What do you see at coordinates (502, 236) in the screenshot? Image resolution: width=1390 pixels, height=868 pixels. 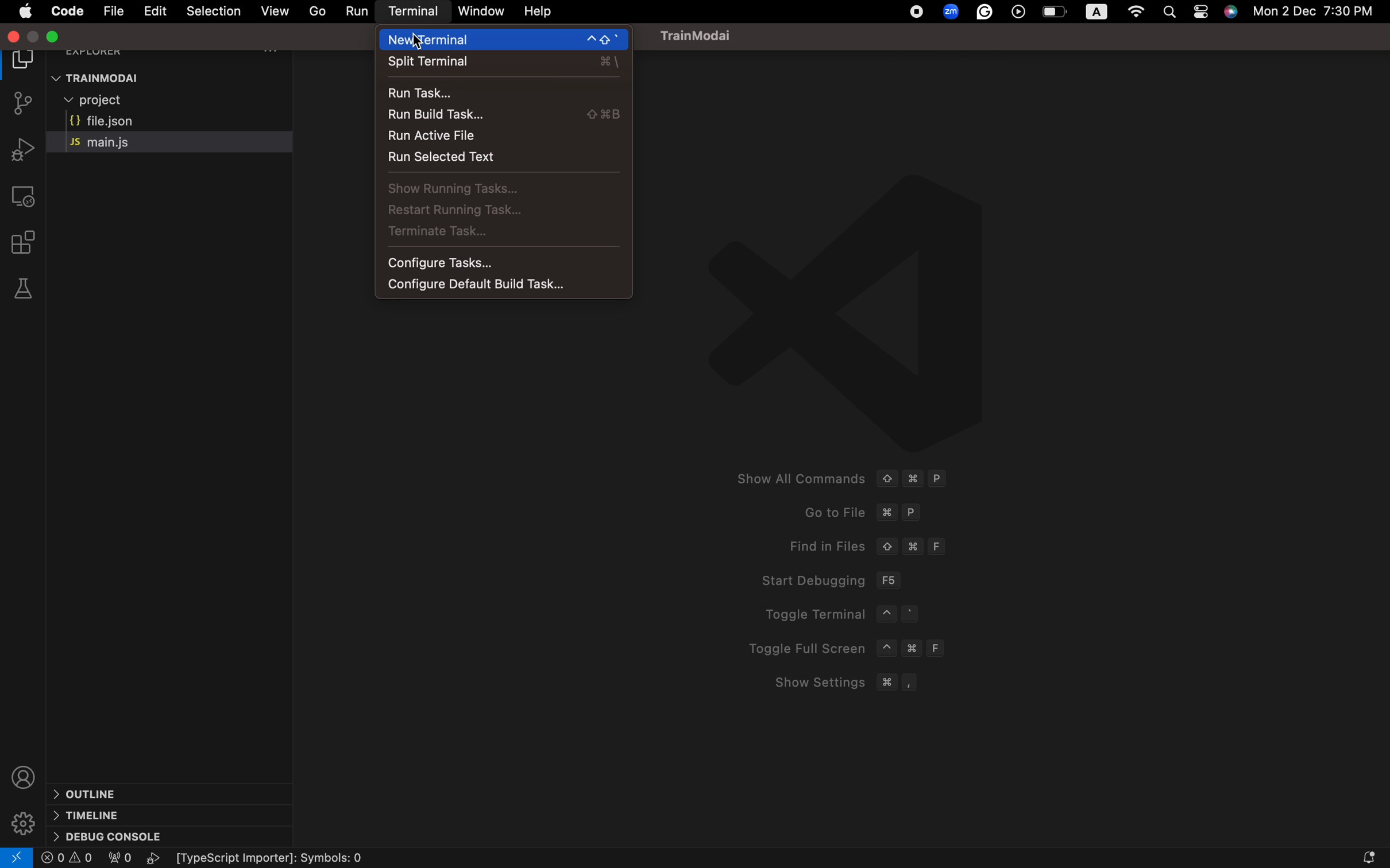 I see `task` at bounding box center [502, 236].